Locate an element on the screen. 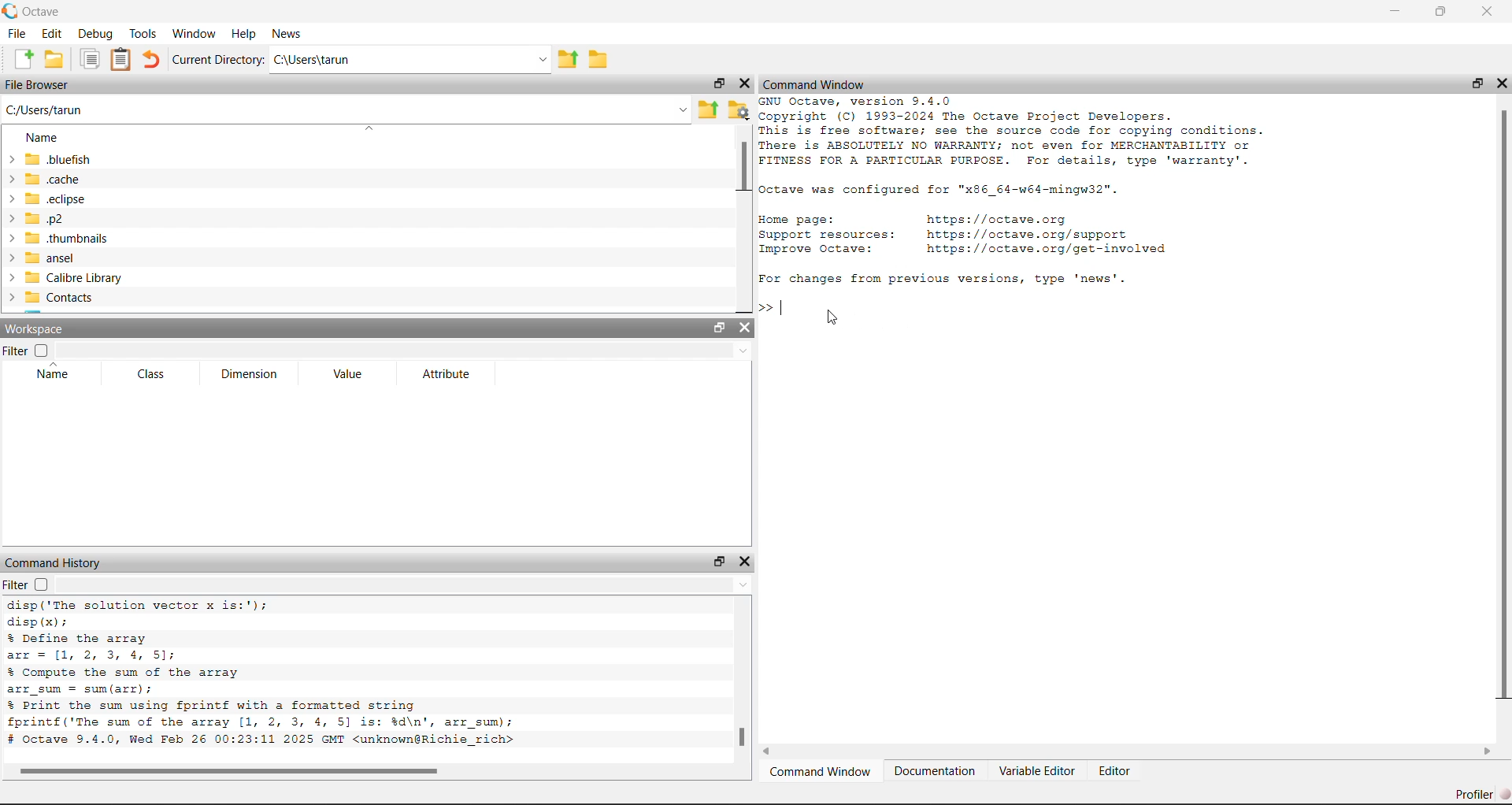 Image resolution: width=1512 pixels, height=805 pixels. bluefish is located at coordinates (50, 158).